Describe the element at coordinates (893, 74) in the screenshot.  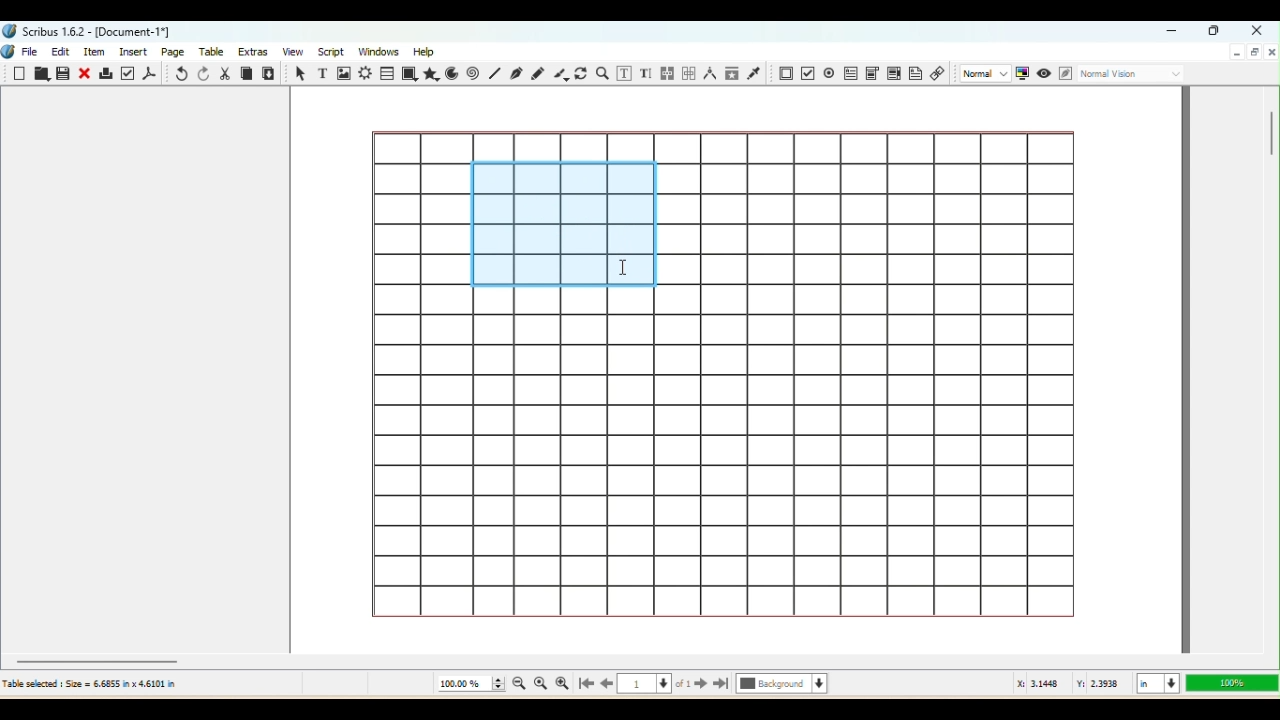
I see `PDF list box` at that location.